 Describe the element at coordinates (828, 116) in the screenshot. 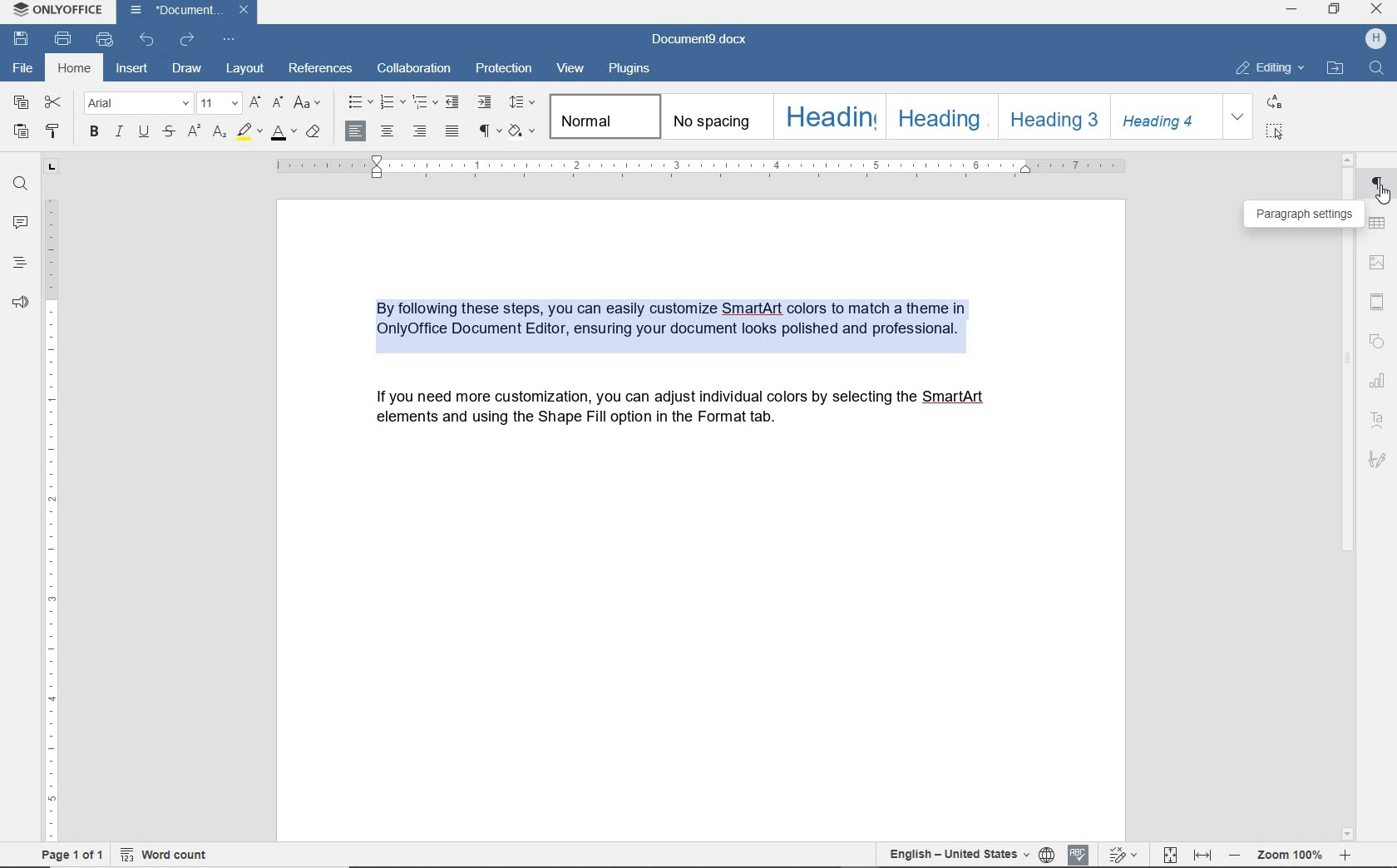

I see `heading 1` at that location.